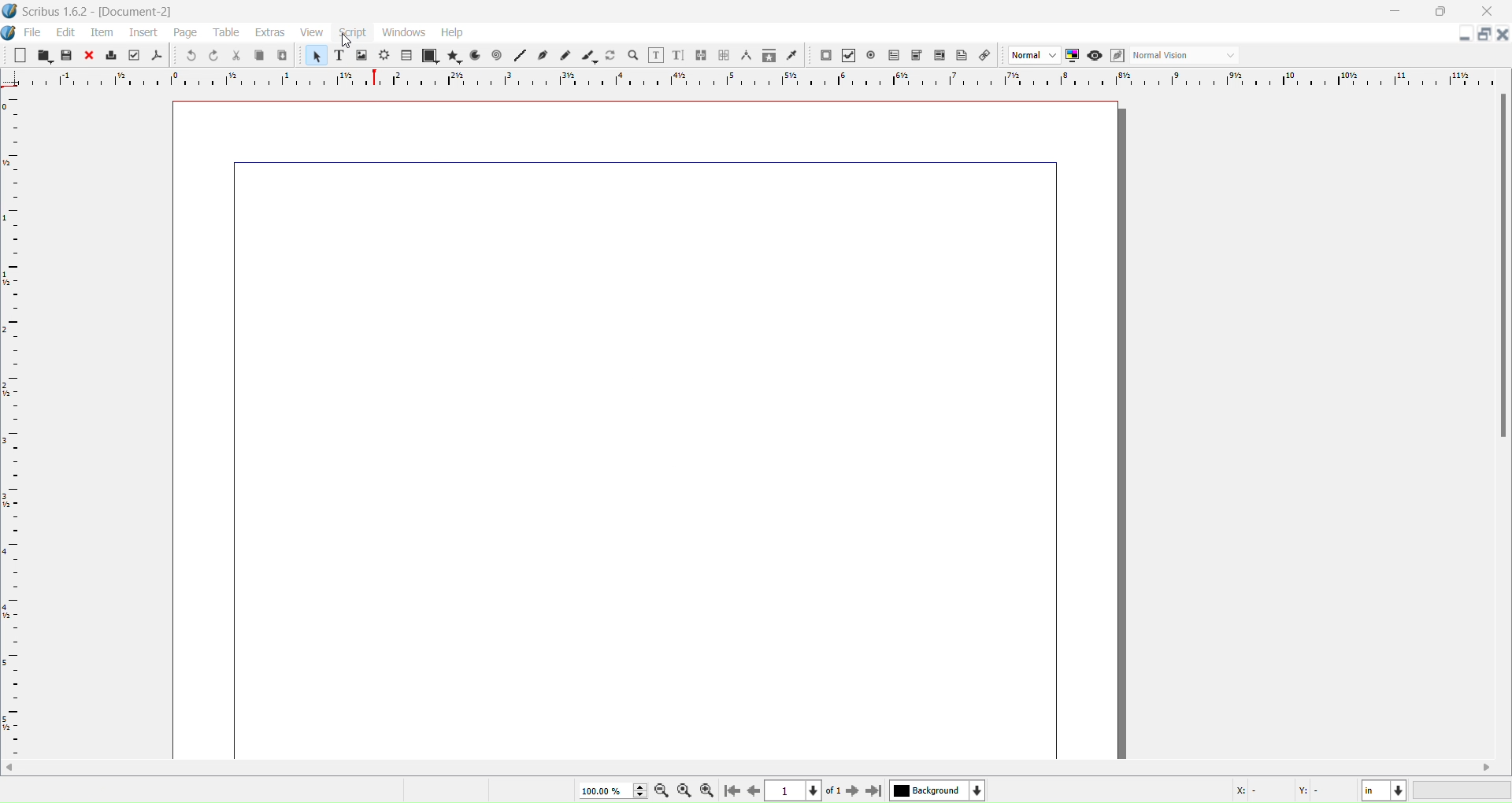 The width and height of the screenshot is (1512, 803). I want to click on Image Frame, so click(361, 56).